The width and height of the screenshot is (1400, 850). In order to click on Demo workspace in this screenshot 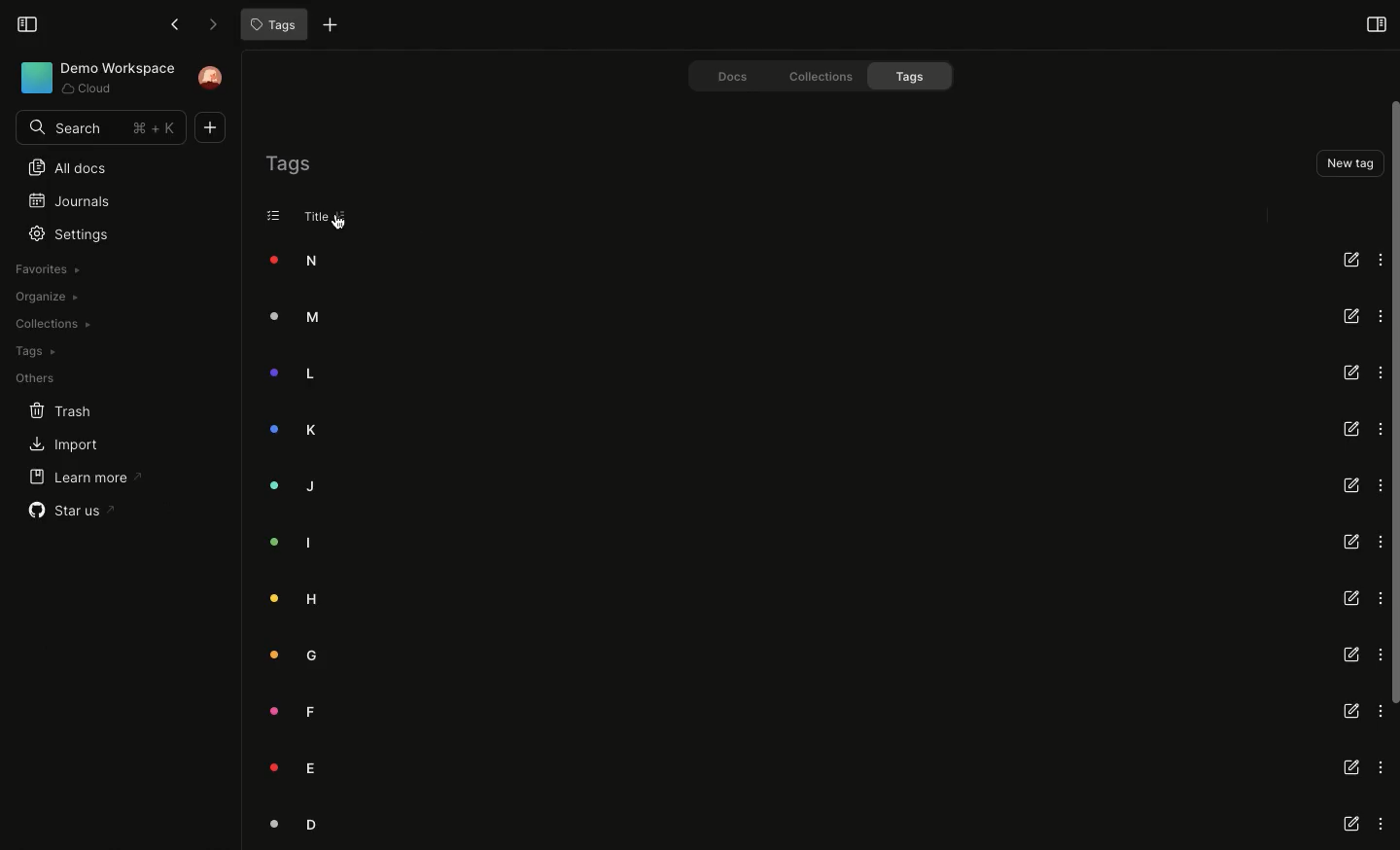, I will do `click(91, 79)`.